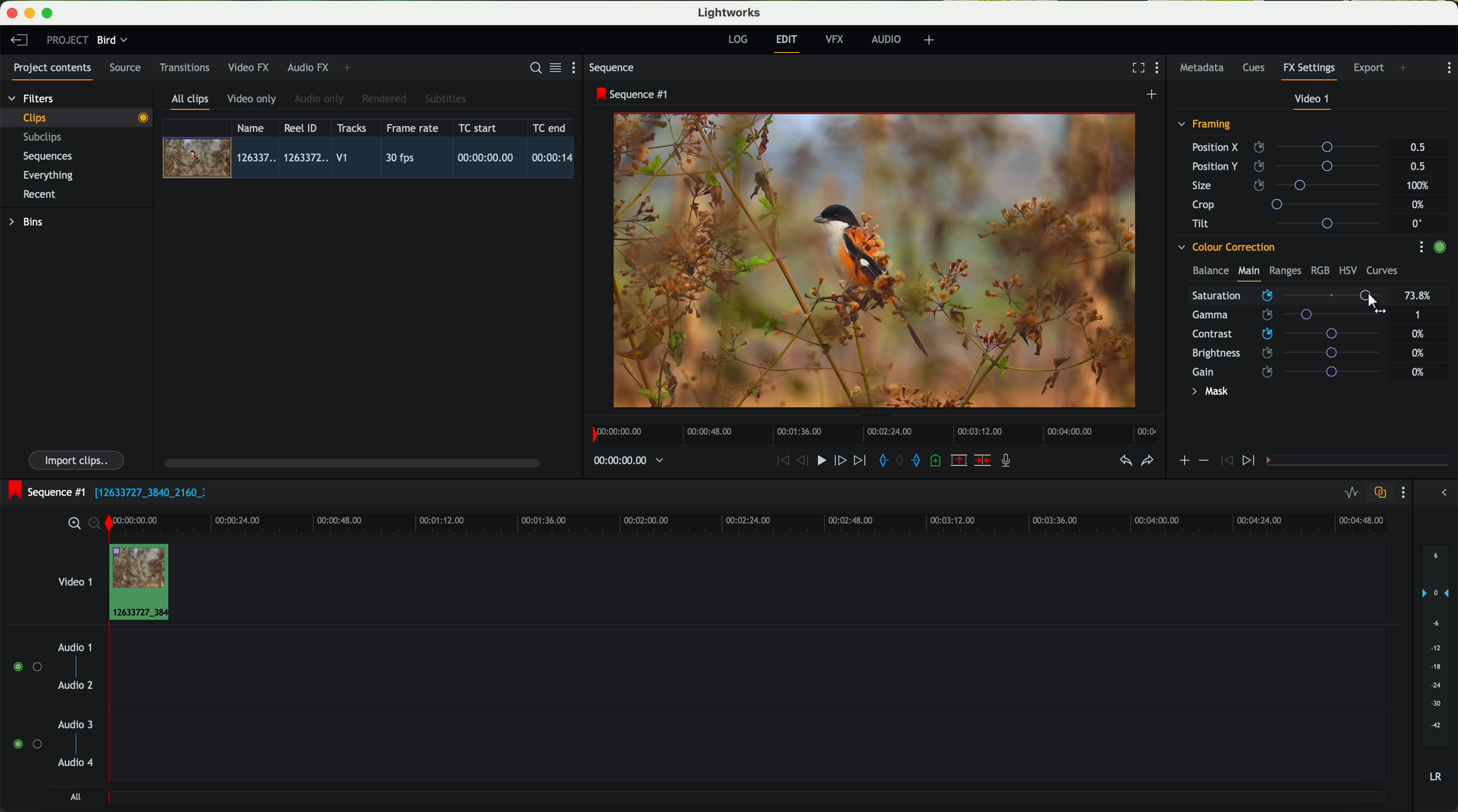  What do you see at coordinates (351, 462) in the screenshot?
I see `scroll bar` at bounding box center [351, 462].